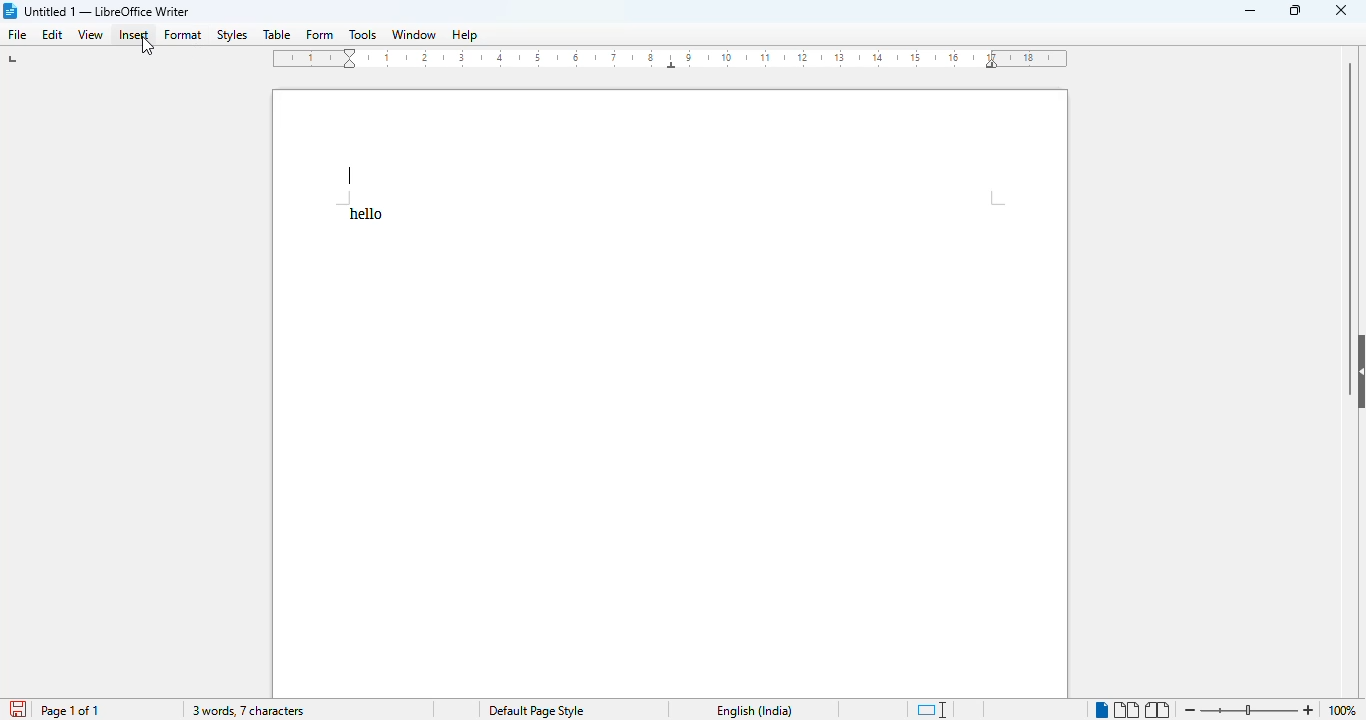 Image resolution: width=1366 pixels, height=720 pixels. Describe the element at coordinates (1310, 710) in the screenshot. I see `zoom in` at that location.